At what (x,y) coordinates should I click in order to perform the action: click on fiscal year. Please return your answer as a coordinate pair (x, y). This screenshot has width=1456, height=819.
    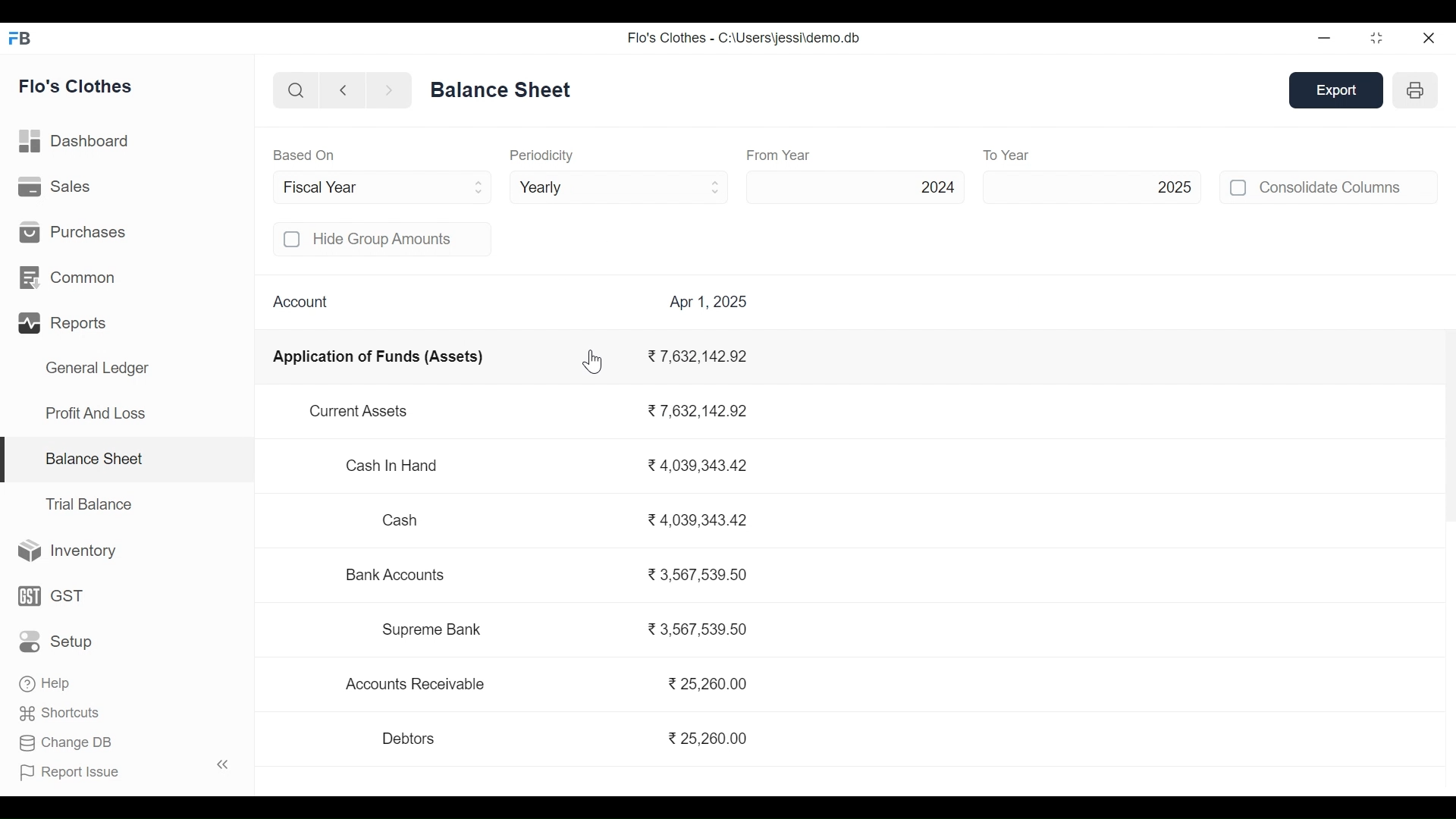
    Looking at the image, I should click on (385, 187).